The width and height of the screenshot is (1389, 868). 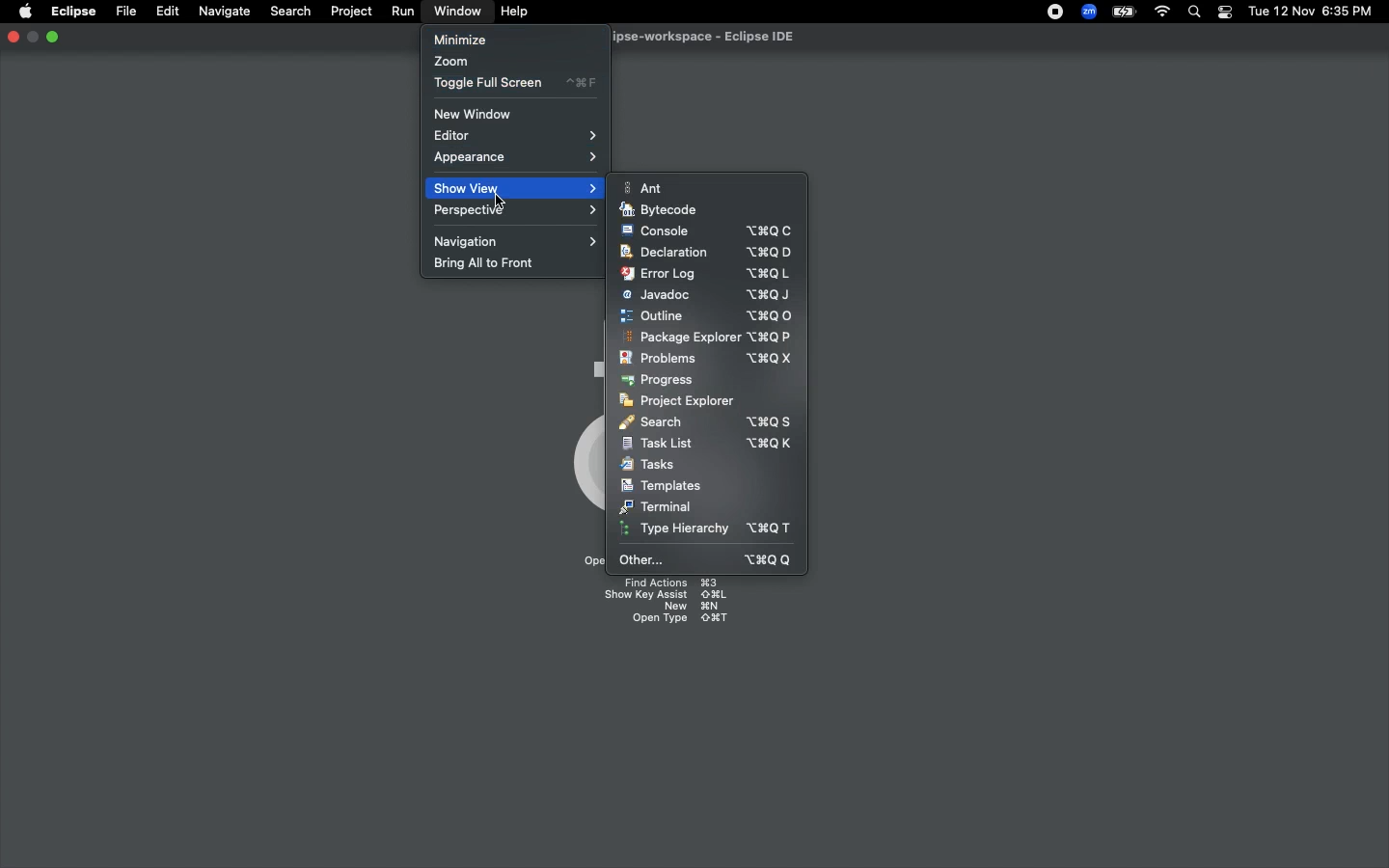 What do you see at coordinates (520, 136) in the screenshot?
I see `Editor` at bounding box center [520, 136].